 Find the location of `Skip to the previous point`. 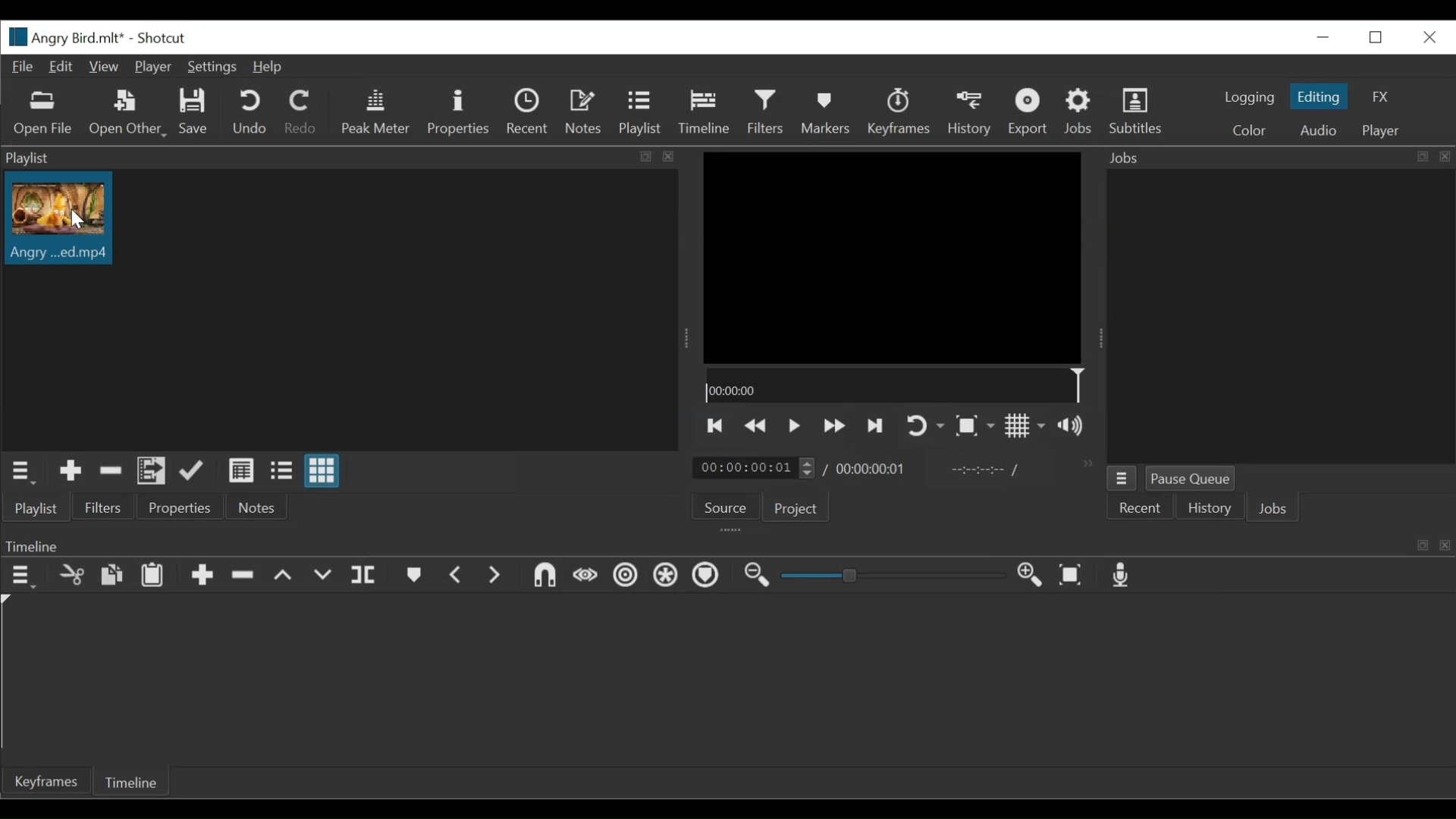

Skip to the previous point is located at coordinates (716, 425).